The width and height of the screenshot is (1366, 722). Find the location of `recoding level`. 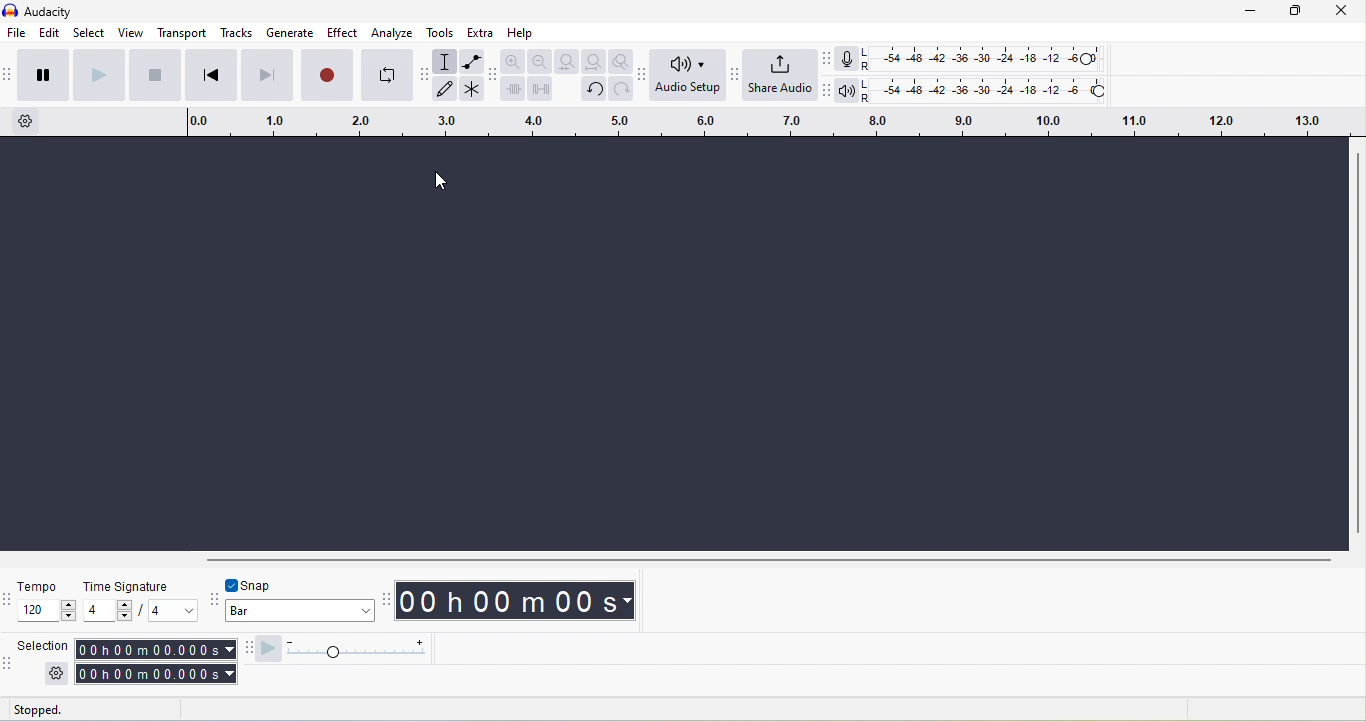

recoding level is located at coordinates (983, 58).